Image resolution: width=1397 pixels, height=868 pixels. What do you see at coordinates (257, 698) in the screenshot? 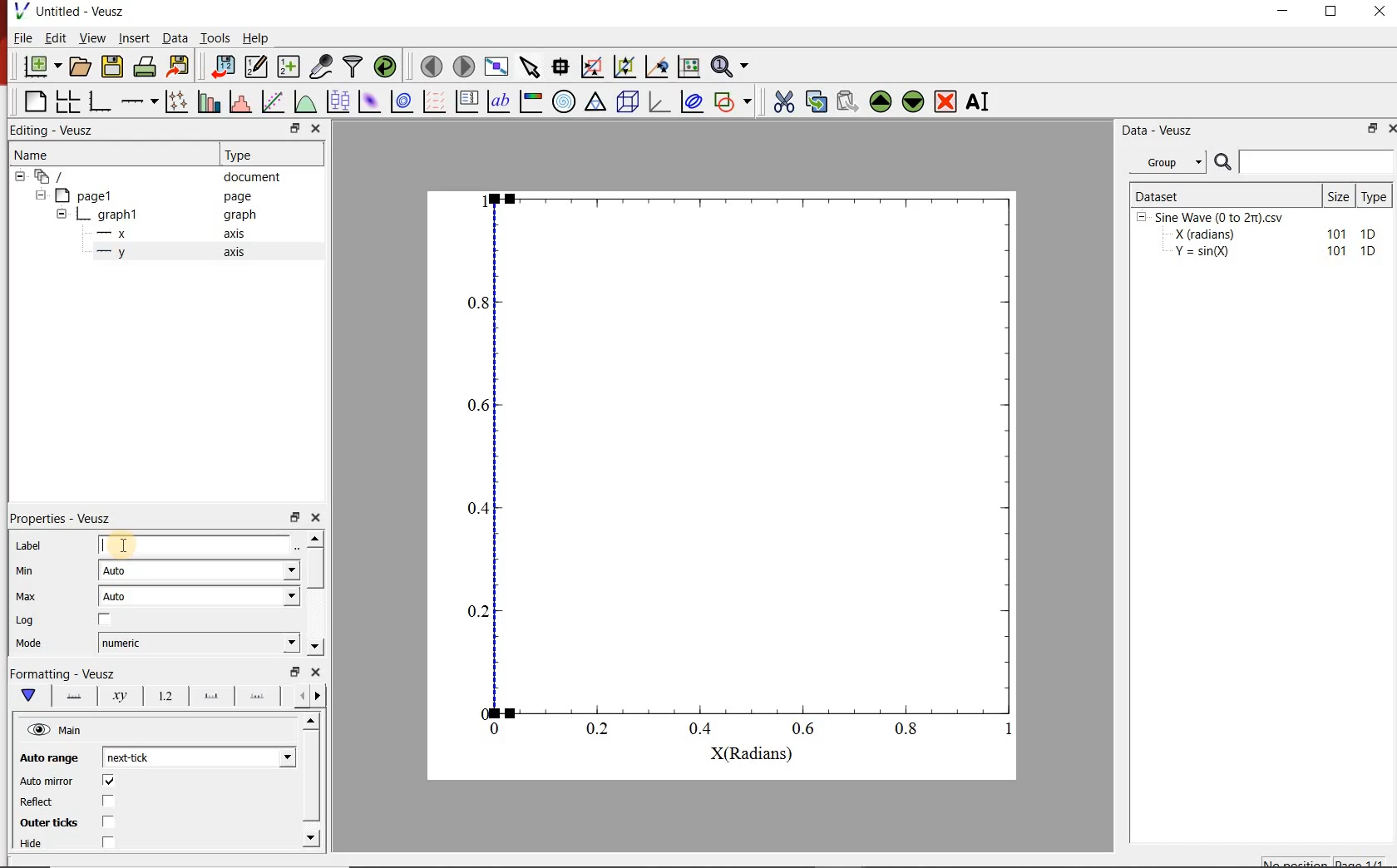
I see `options` at bounding box center [257, 698].